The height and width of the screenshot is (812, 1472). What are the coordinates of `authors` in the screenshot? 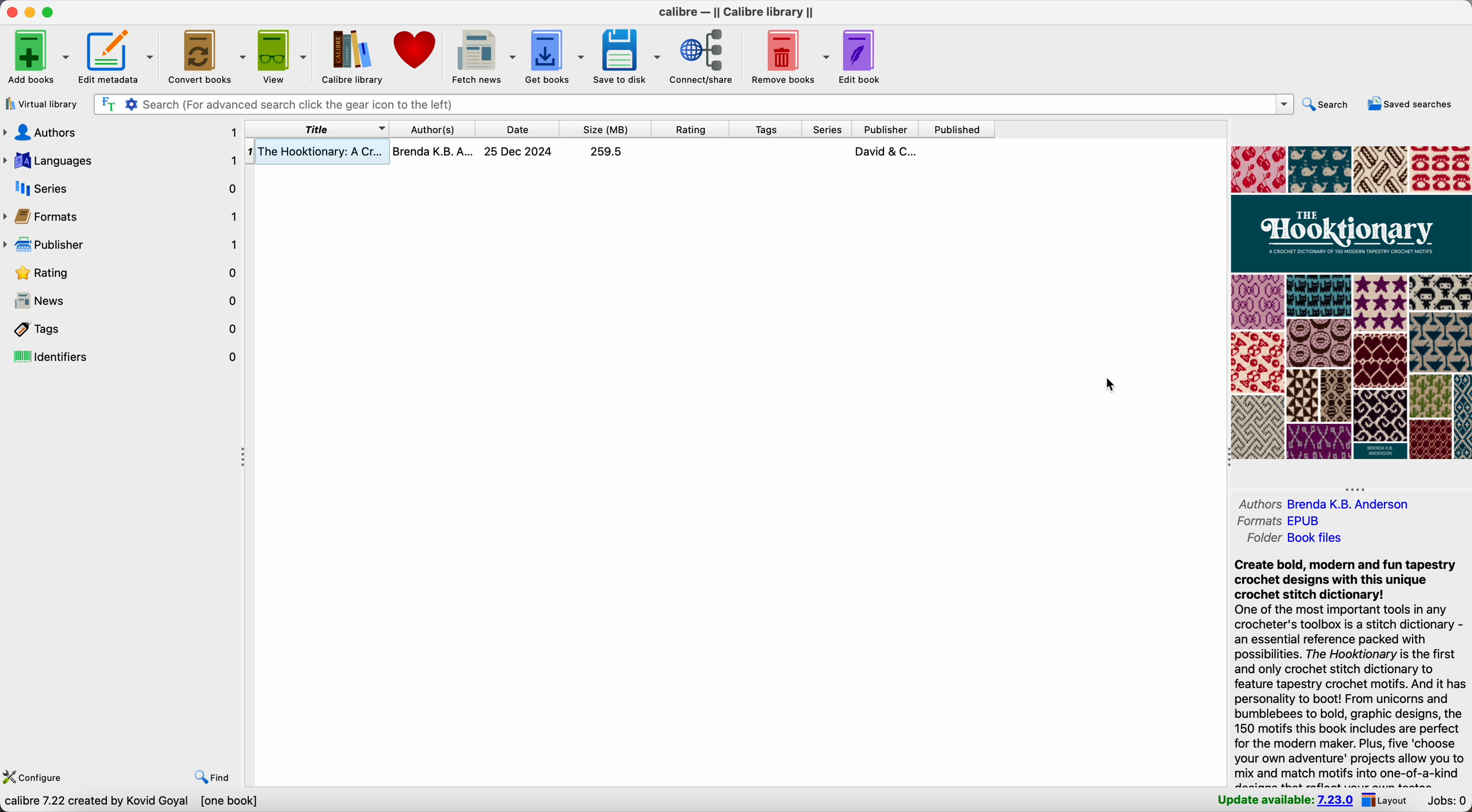 It's located at (1334, 505).